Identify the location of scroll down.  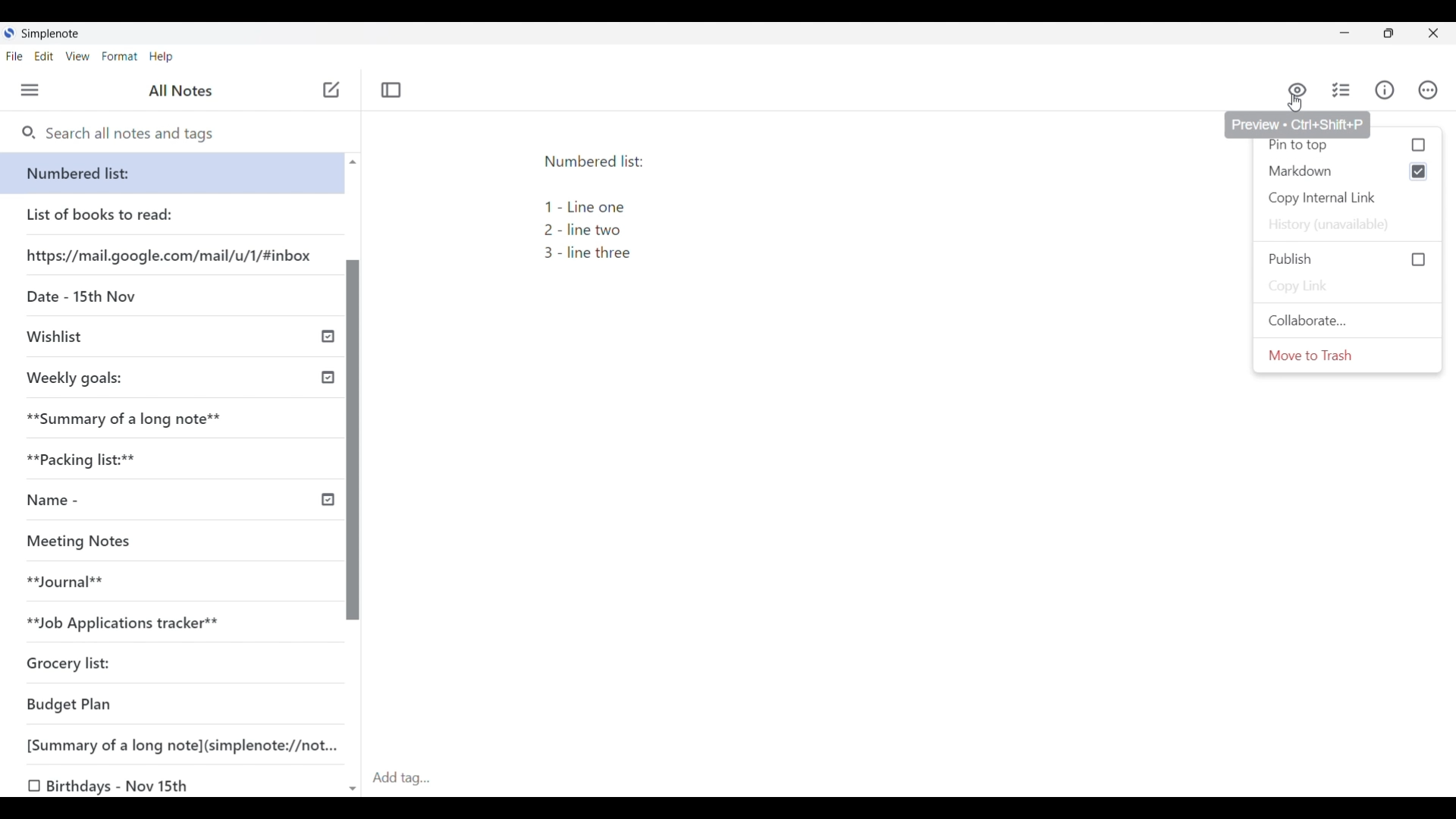
(356, 782).